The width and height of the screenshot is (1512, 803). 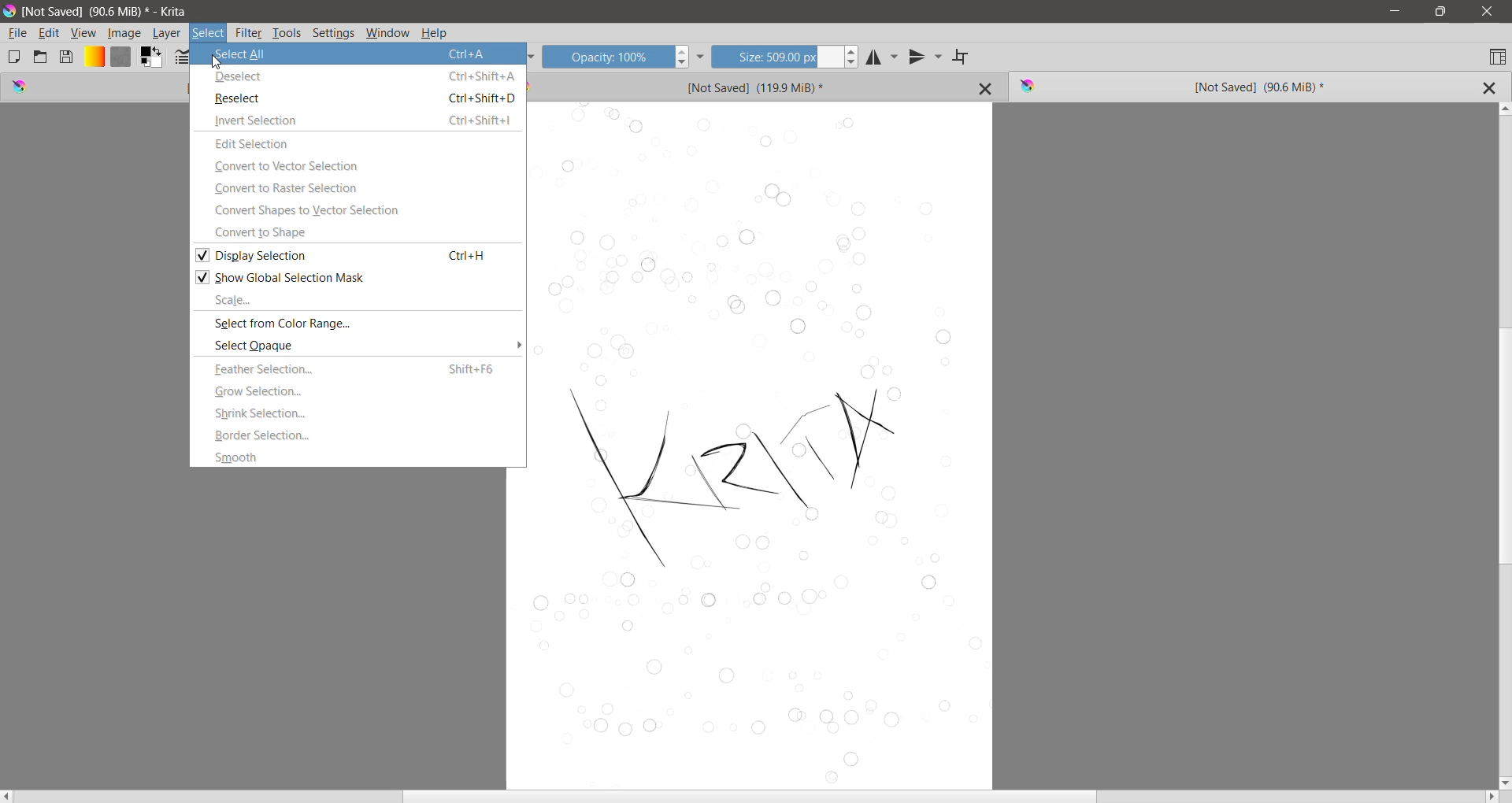 I want to click on Create New Document, so click(x=13, y=57).